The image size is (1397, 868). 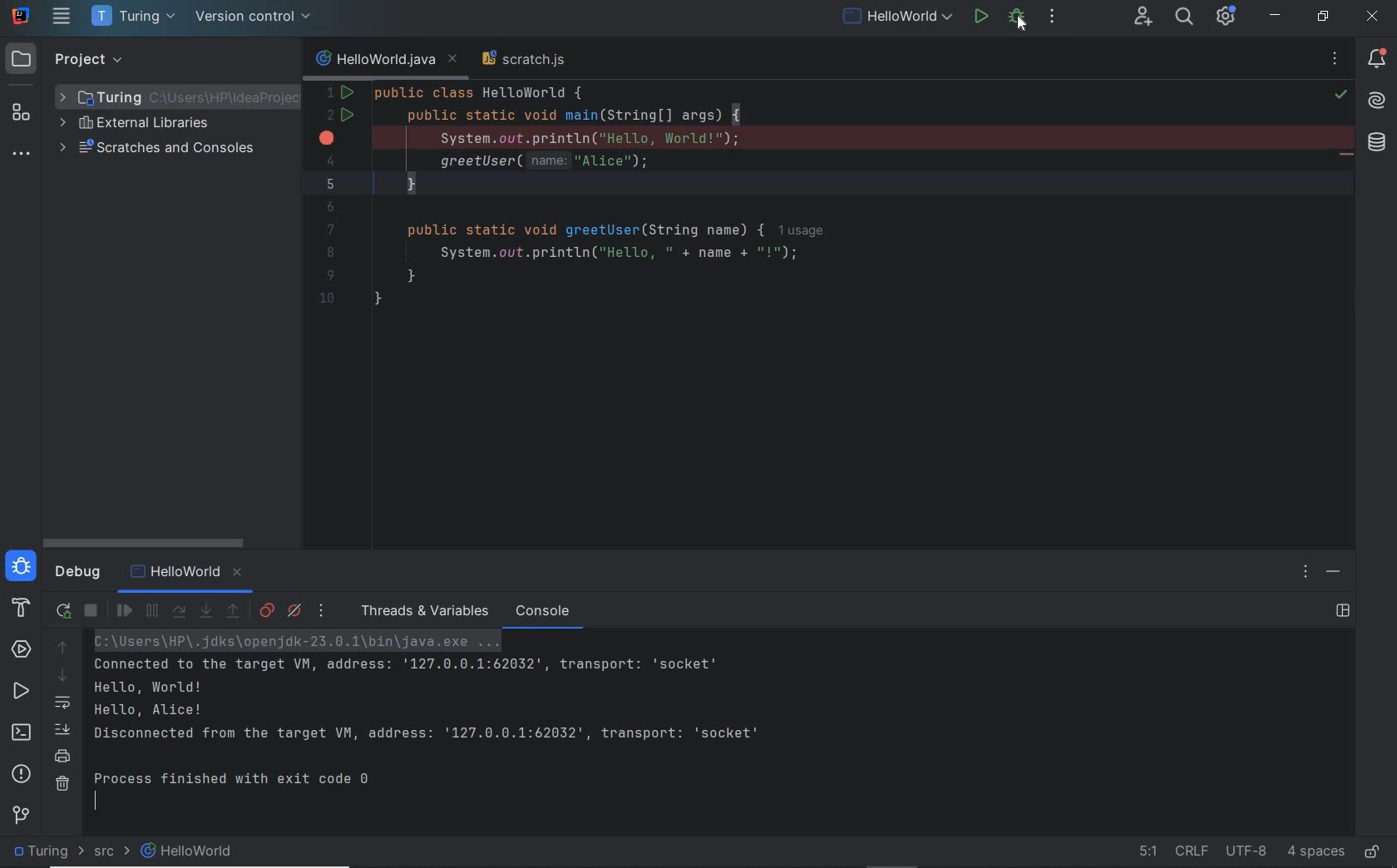 I want to click on file encoding, so click(x=1245, y=851).